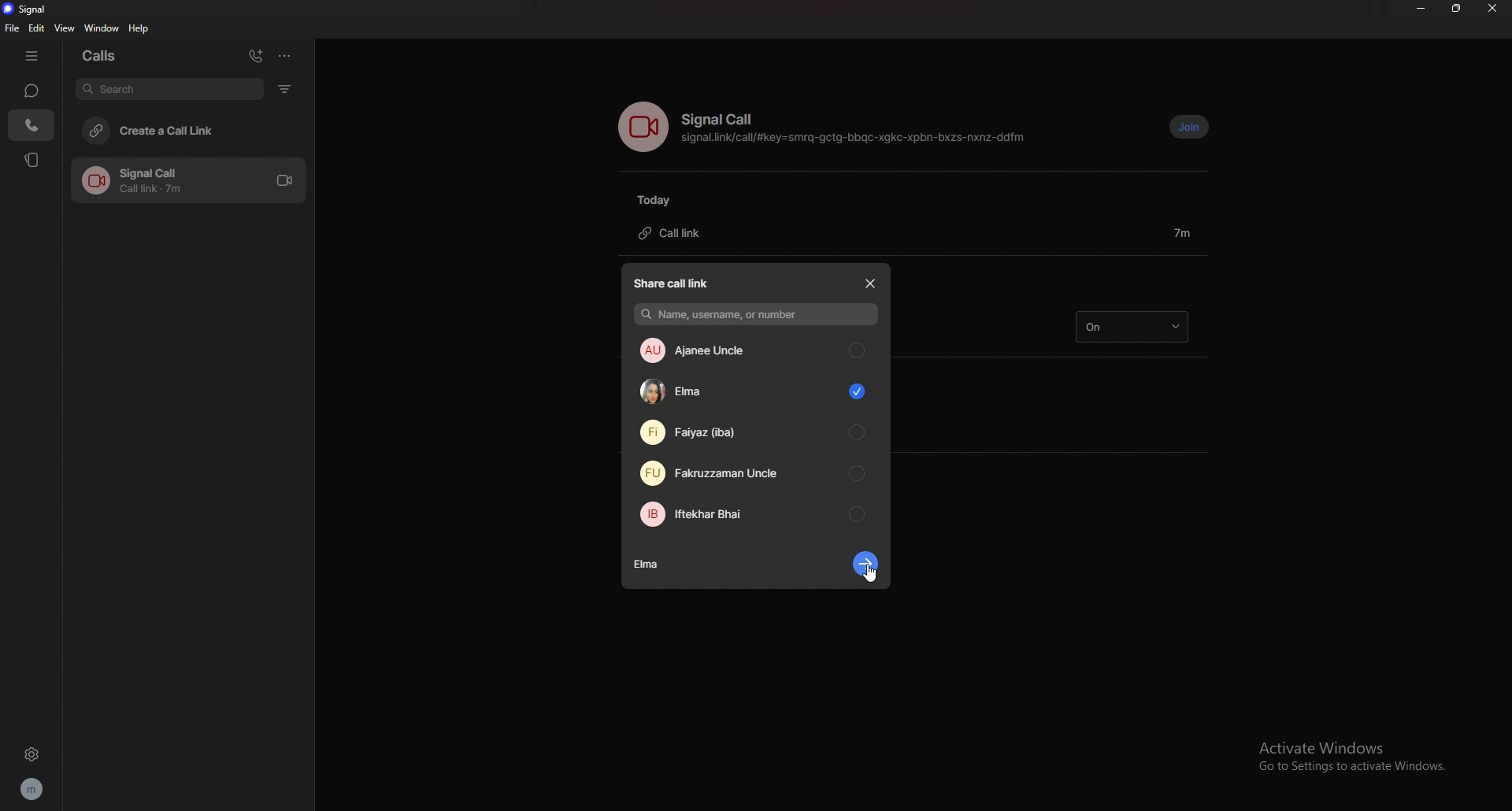 The image size is (1512, 811). What do you see at coordinates (887, 390) in the screenshot?
I see `scroll bar` at bounding box center [887, 390].